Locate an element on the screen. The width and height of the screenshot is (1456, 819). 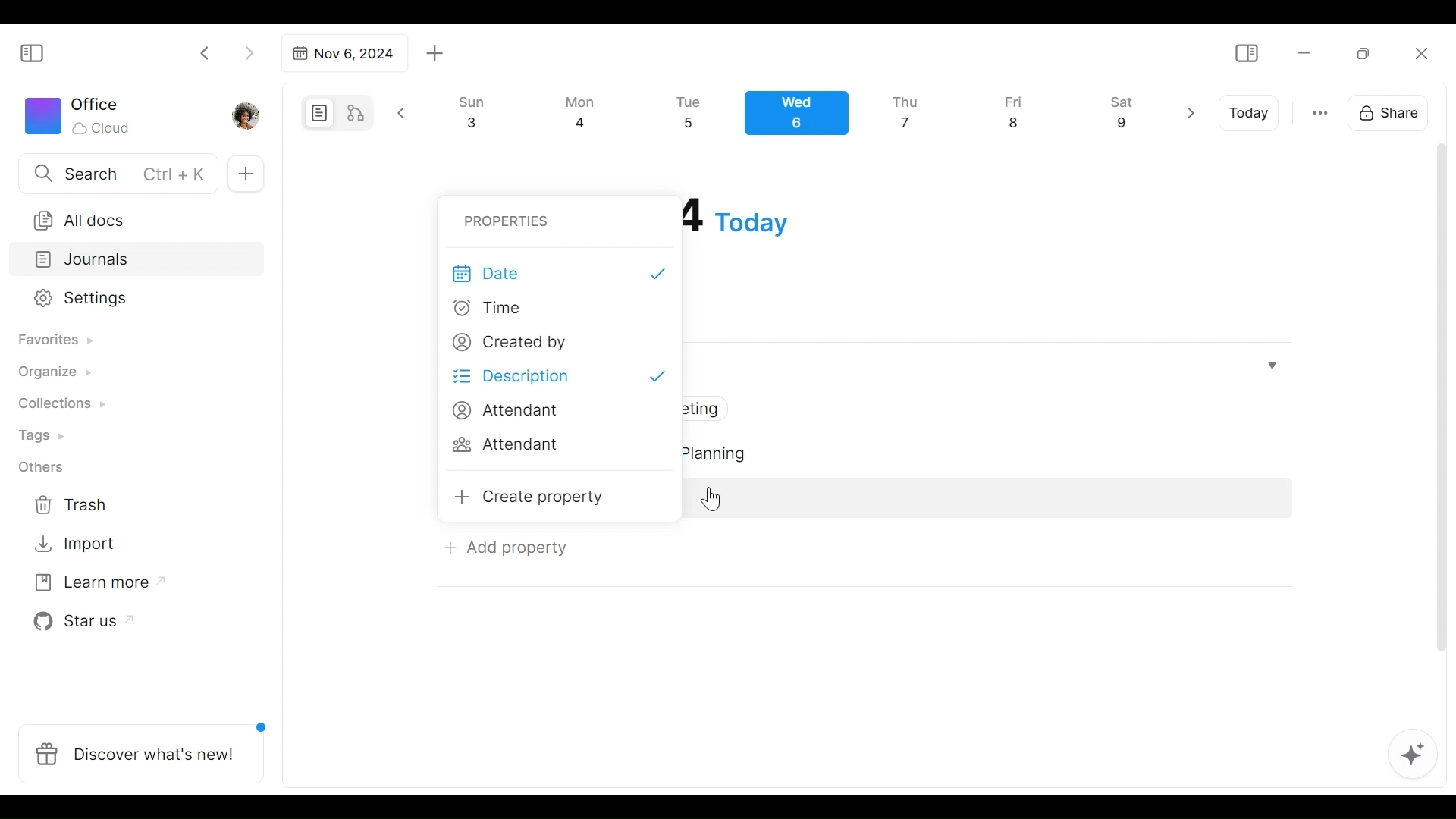
Date is located at coordinates (557, 275).